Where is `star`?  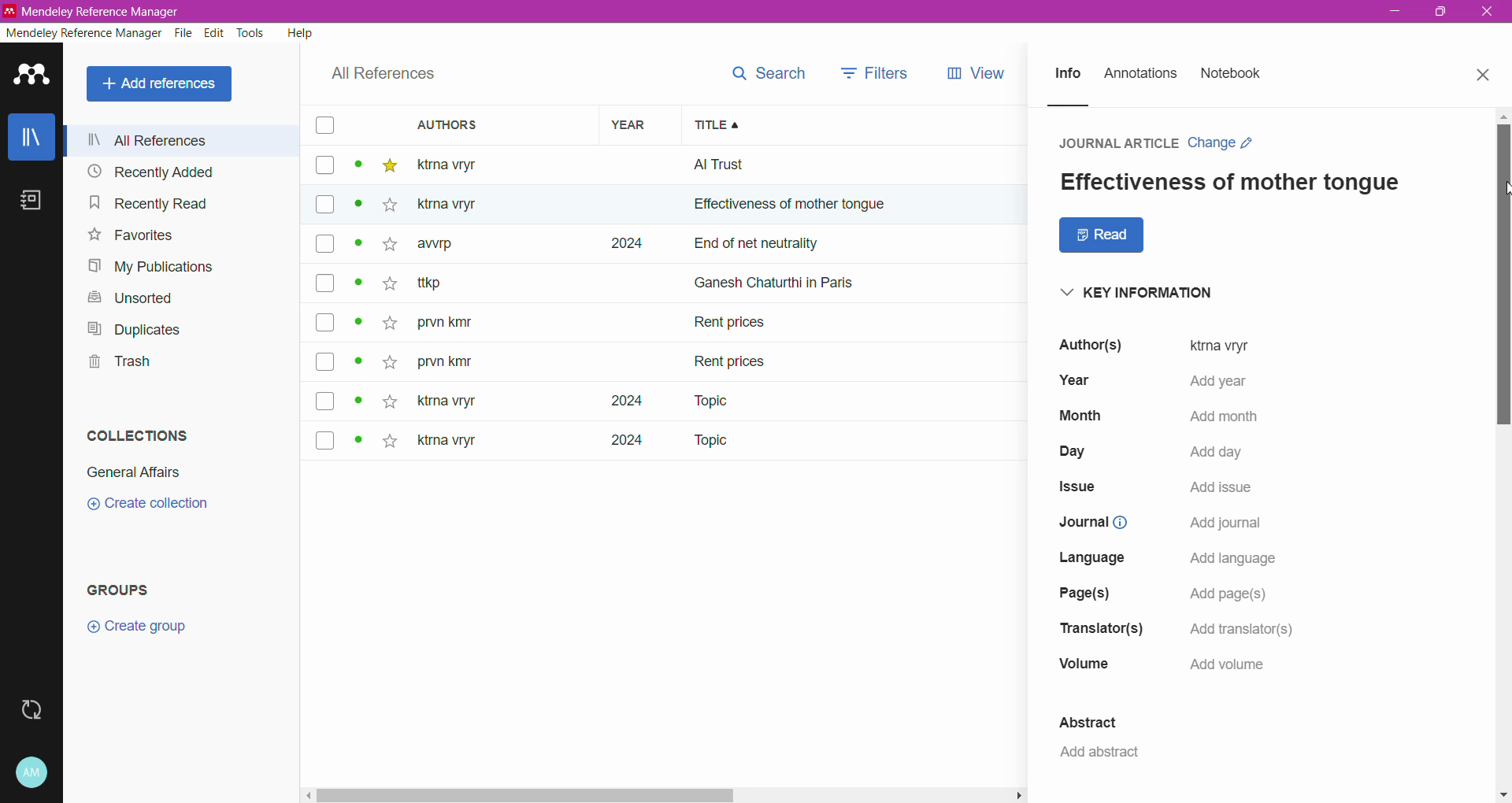 star is located at coordinates (389, 443).